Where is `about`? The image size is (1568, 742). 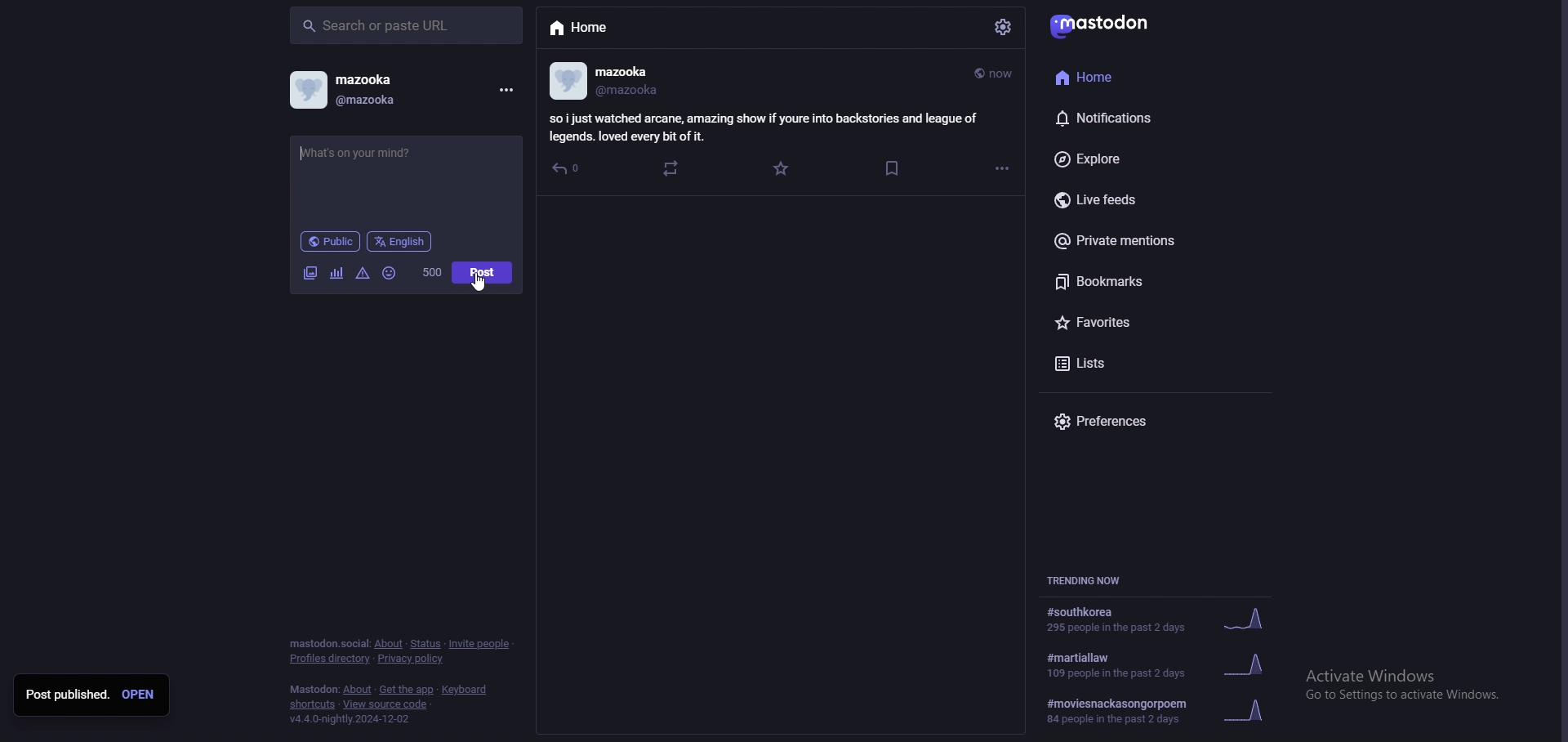
about is located at coordinates (388, 644).